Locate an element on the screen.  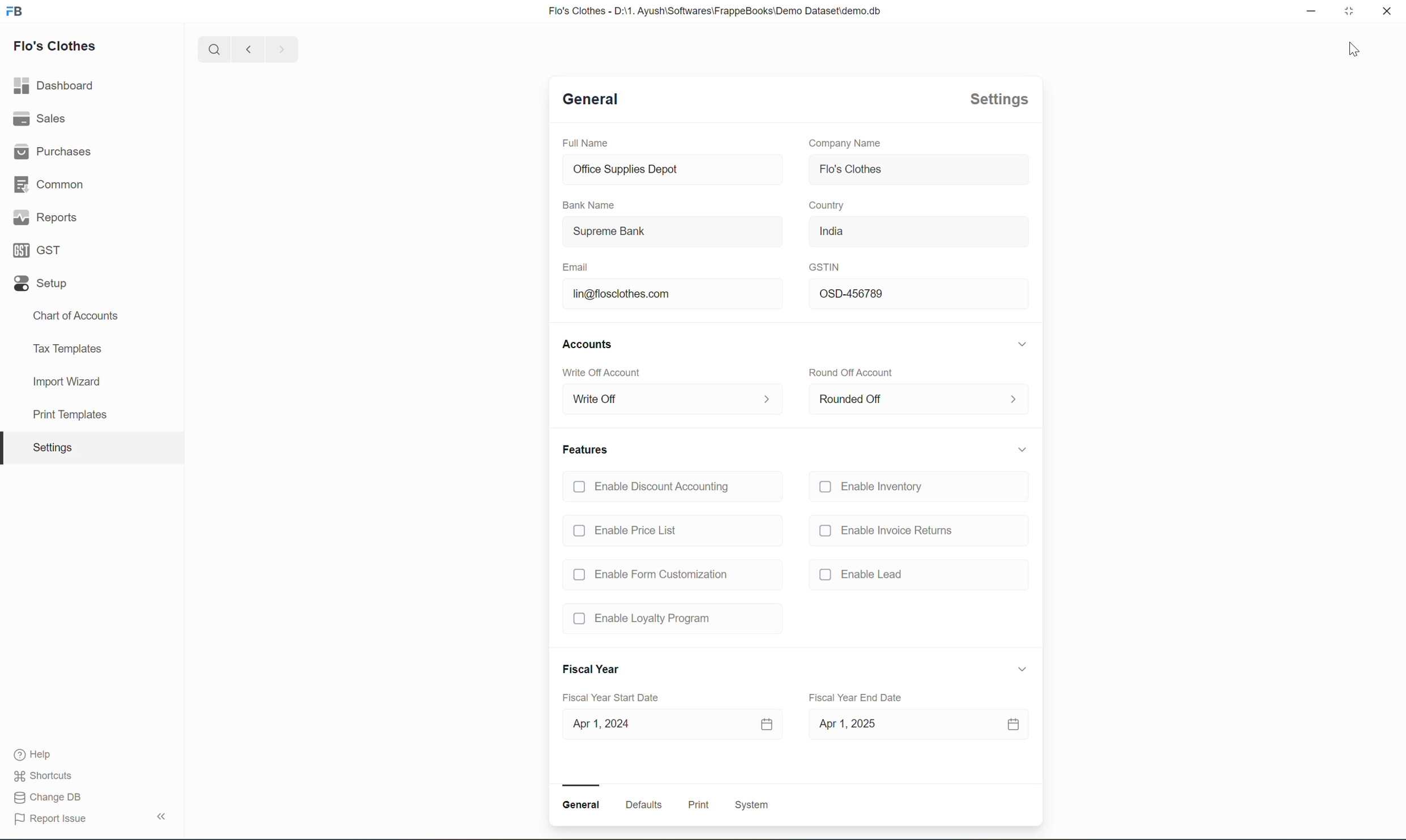
Apr 1, 2024 is located at coordinates (653, 725).